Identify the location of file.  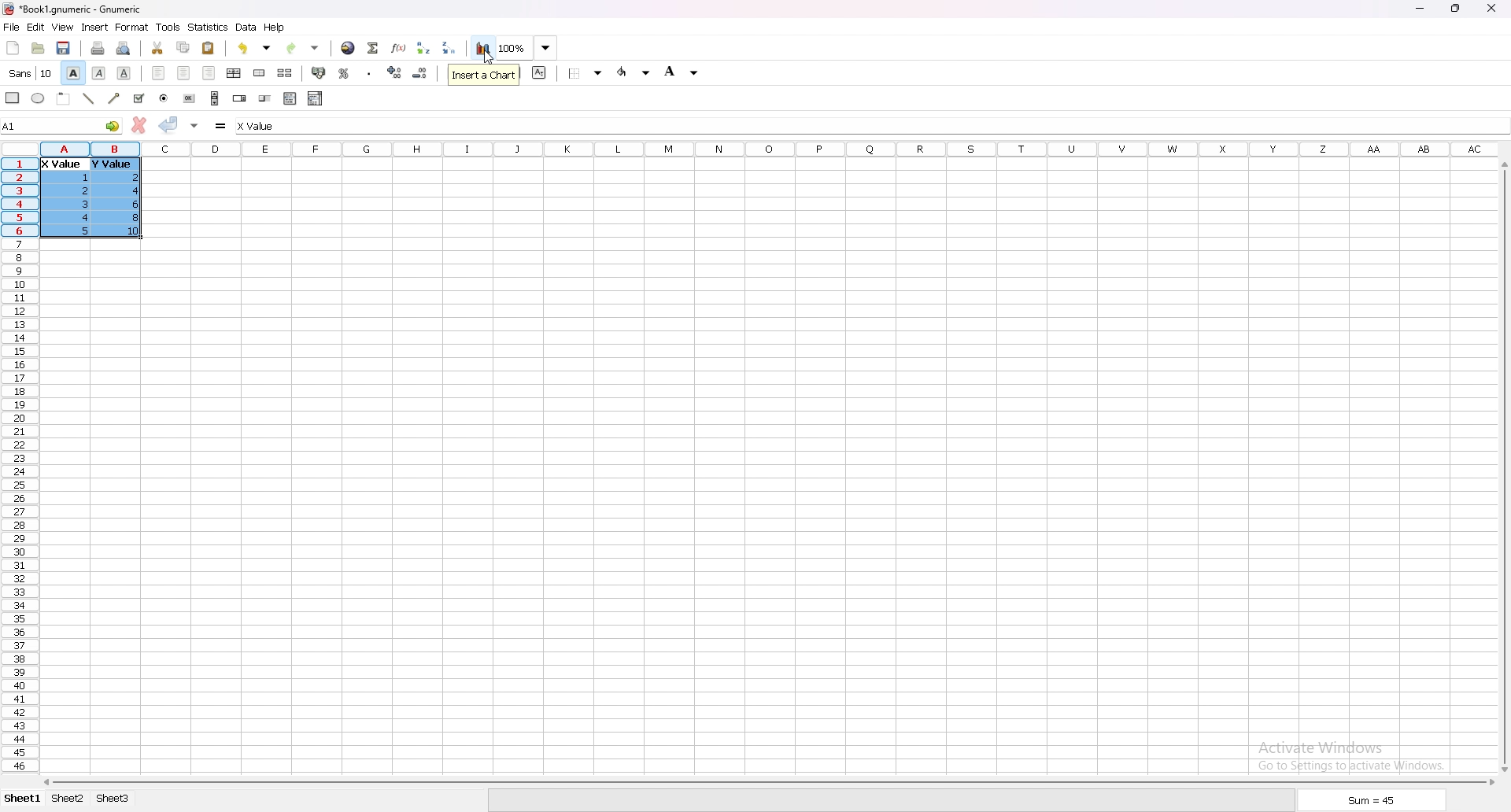
(11, 28).